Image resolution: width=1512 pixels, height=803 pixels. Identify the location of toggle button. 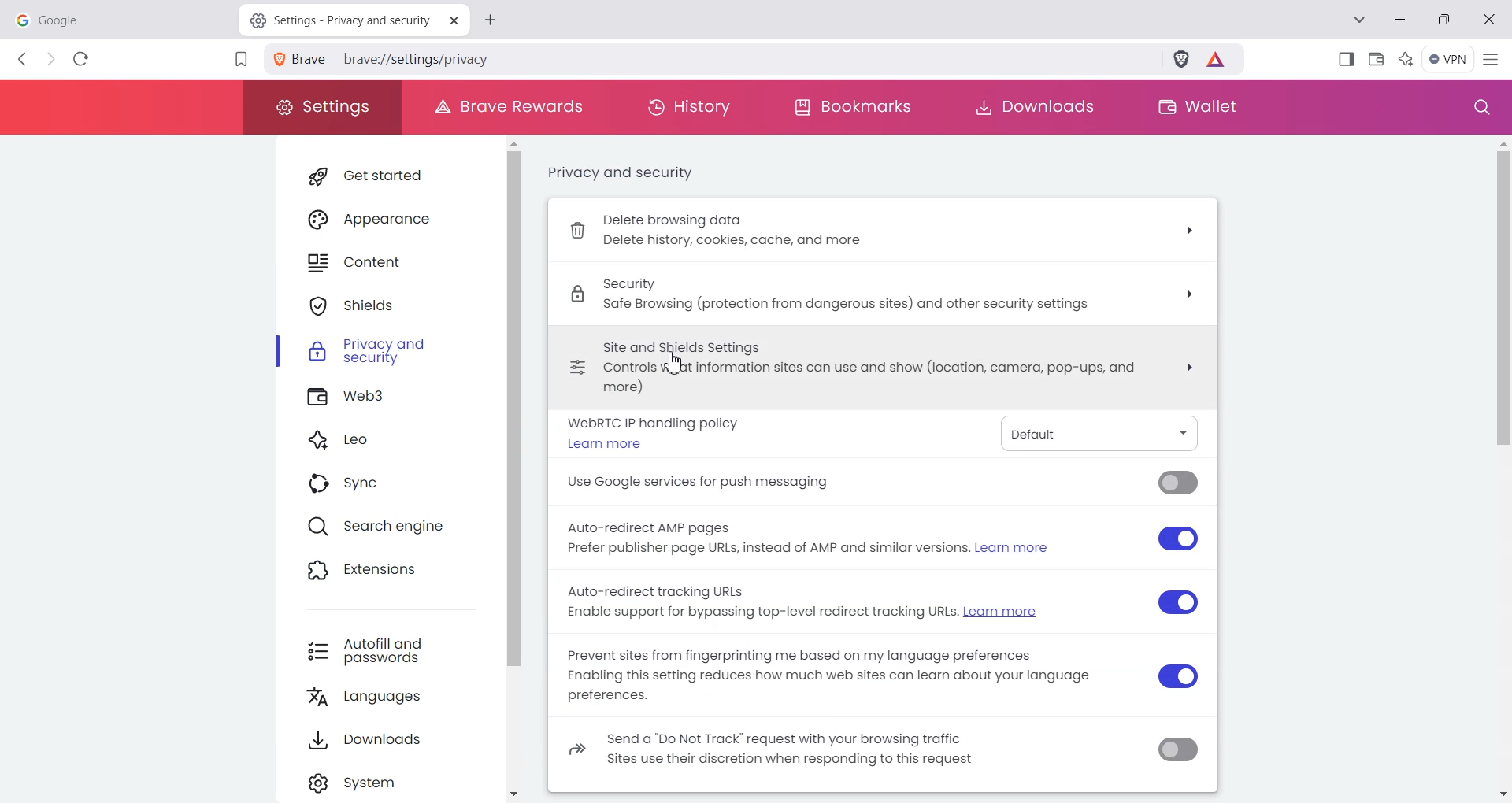
(1182, 619).